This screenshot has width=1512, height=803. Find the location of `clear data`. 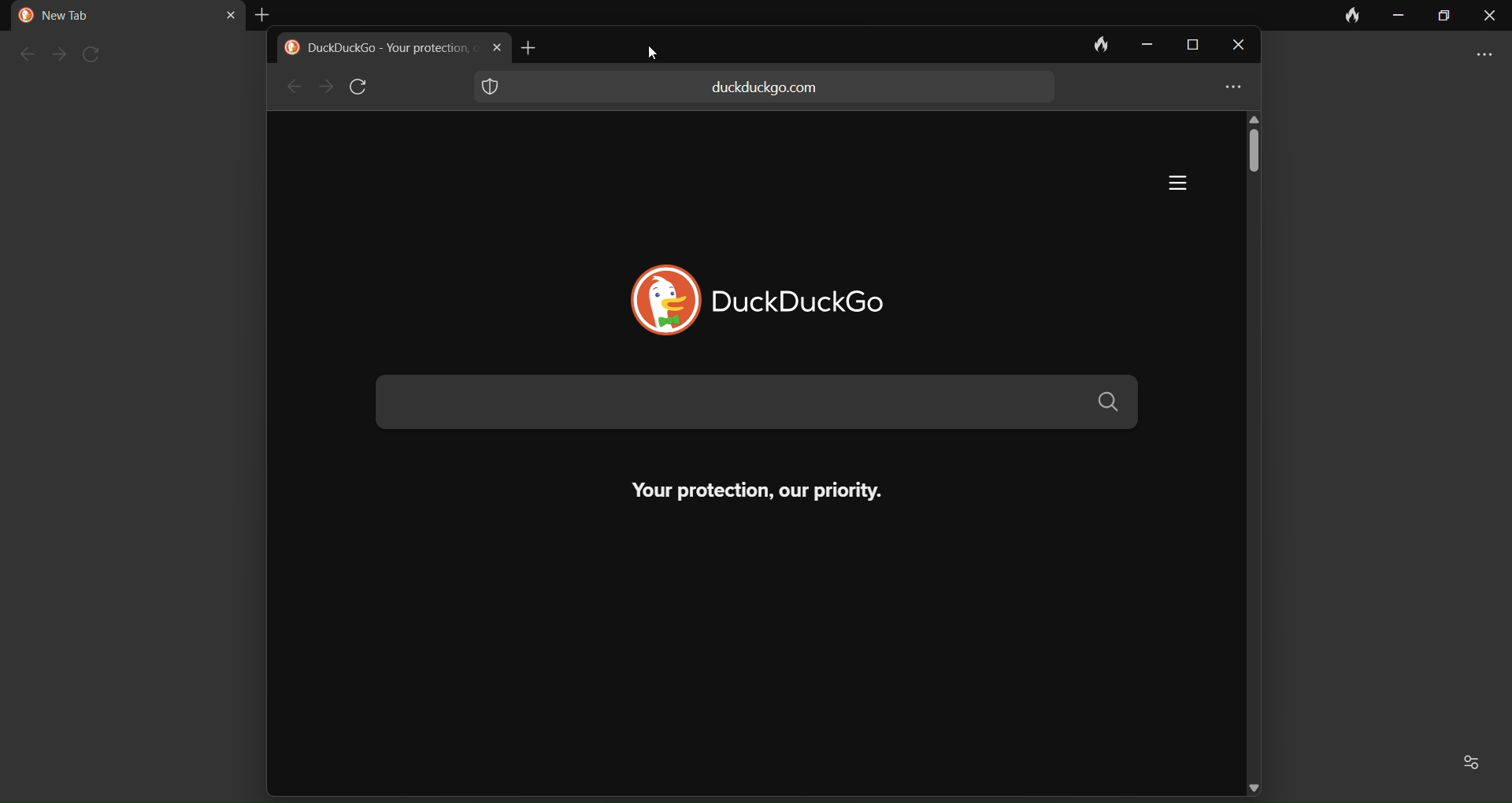

clear data is located at coordinates (1354, 16).